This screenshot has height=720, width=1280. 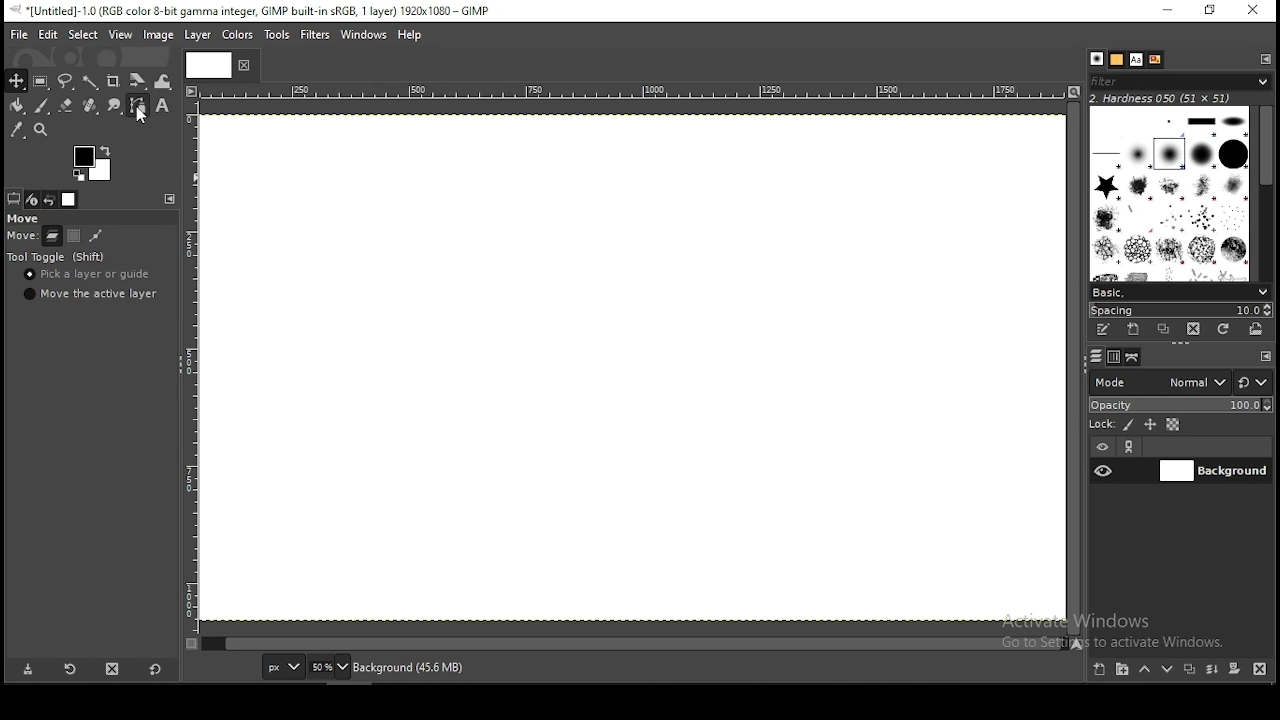 What do you see at coordinates (1214, 670) in the screenshot?
I see `merge layer` at bounding box center [1214, 670].